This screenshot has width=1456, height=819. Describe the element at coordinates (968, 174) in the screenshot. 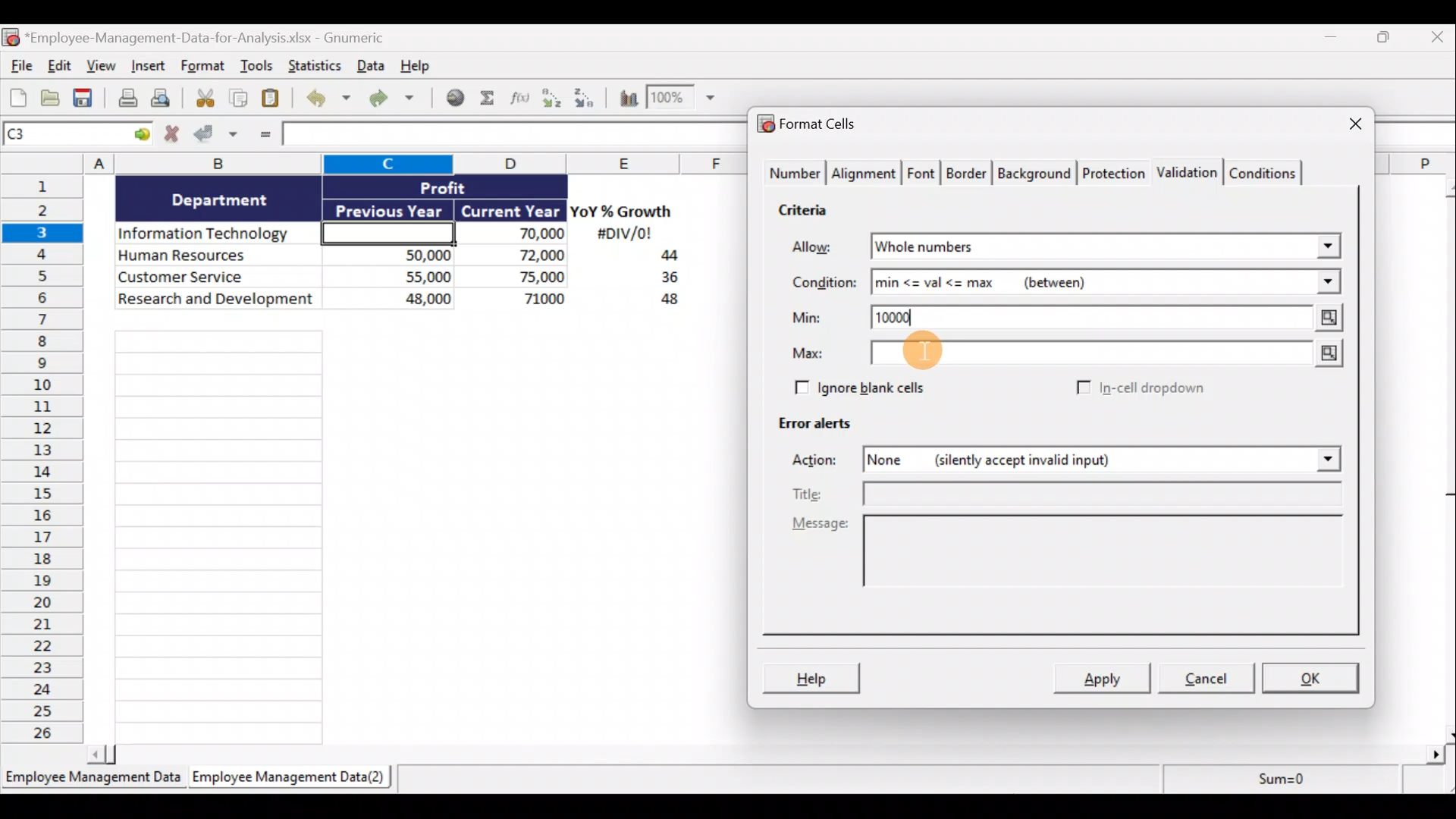

I see `Border` at that location.